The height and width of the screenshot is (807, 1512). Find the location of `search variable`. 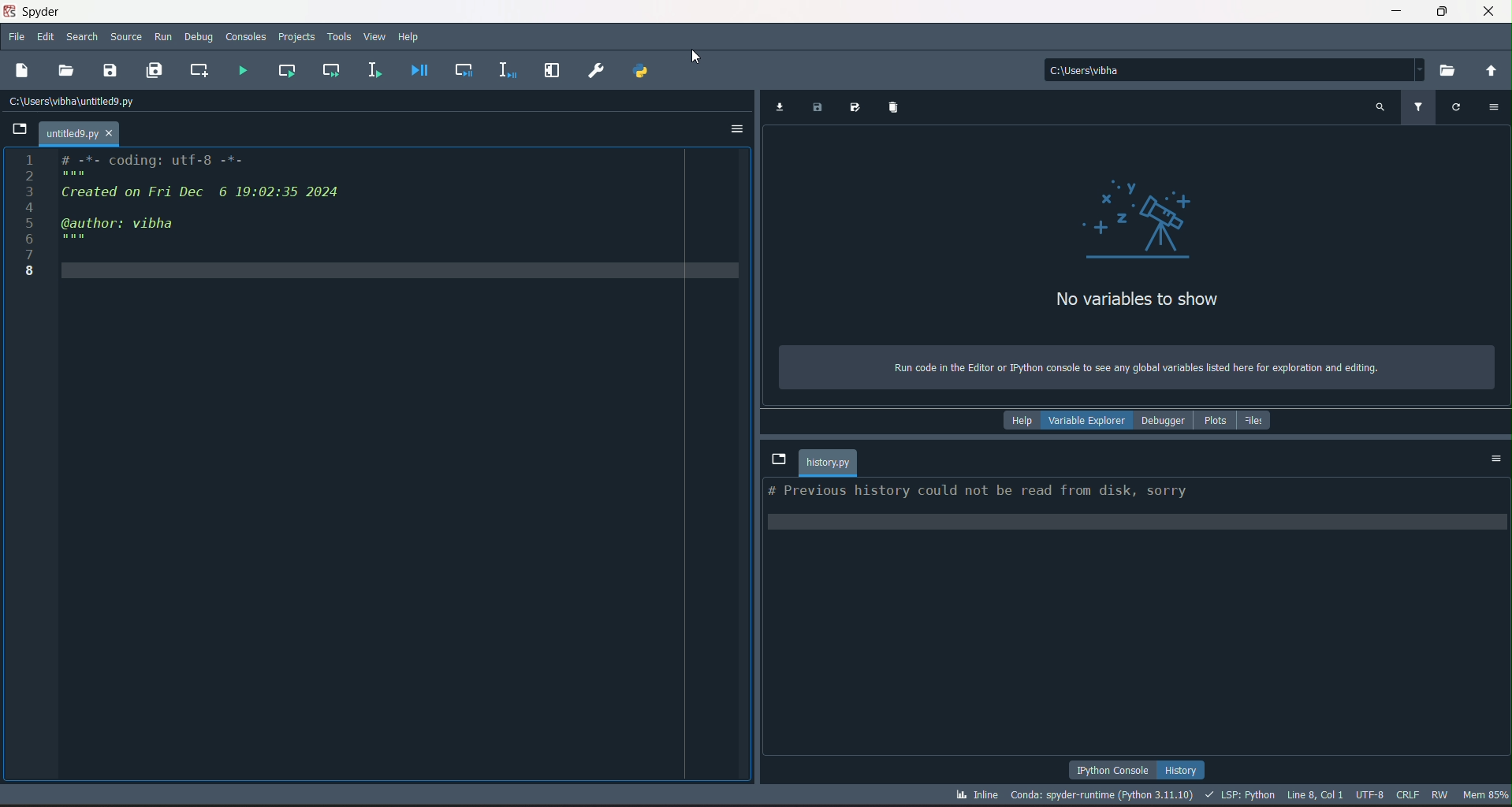

search variable is located at coordinates (1378, 108).